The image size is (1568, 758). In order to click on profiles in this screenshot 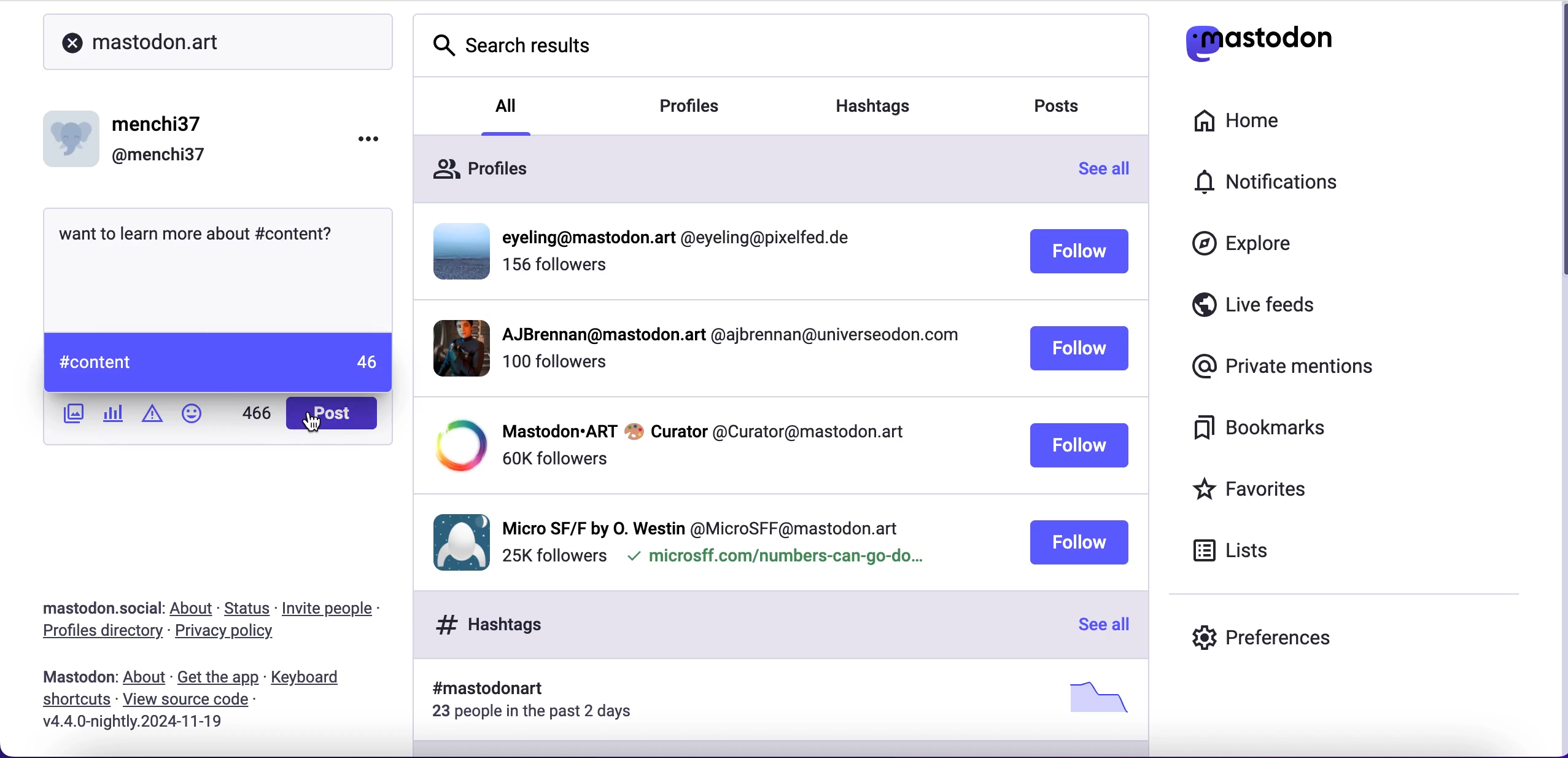, I will do `click(484, 165)`.